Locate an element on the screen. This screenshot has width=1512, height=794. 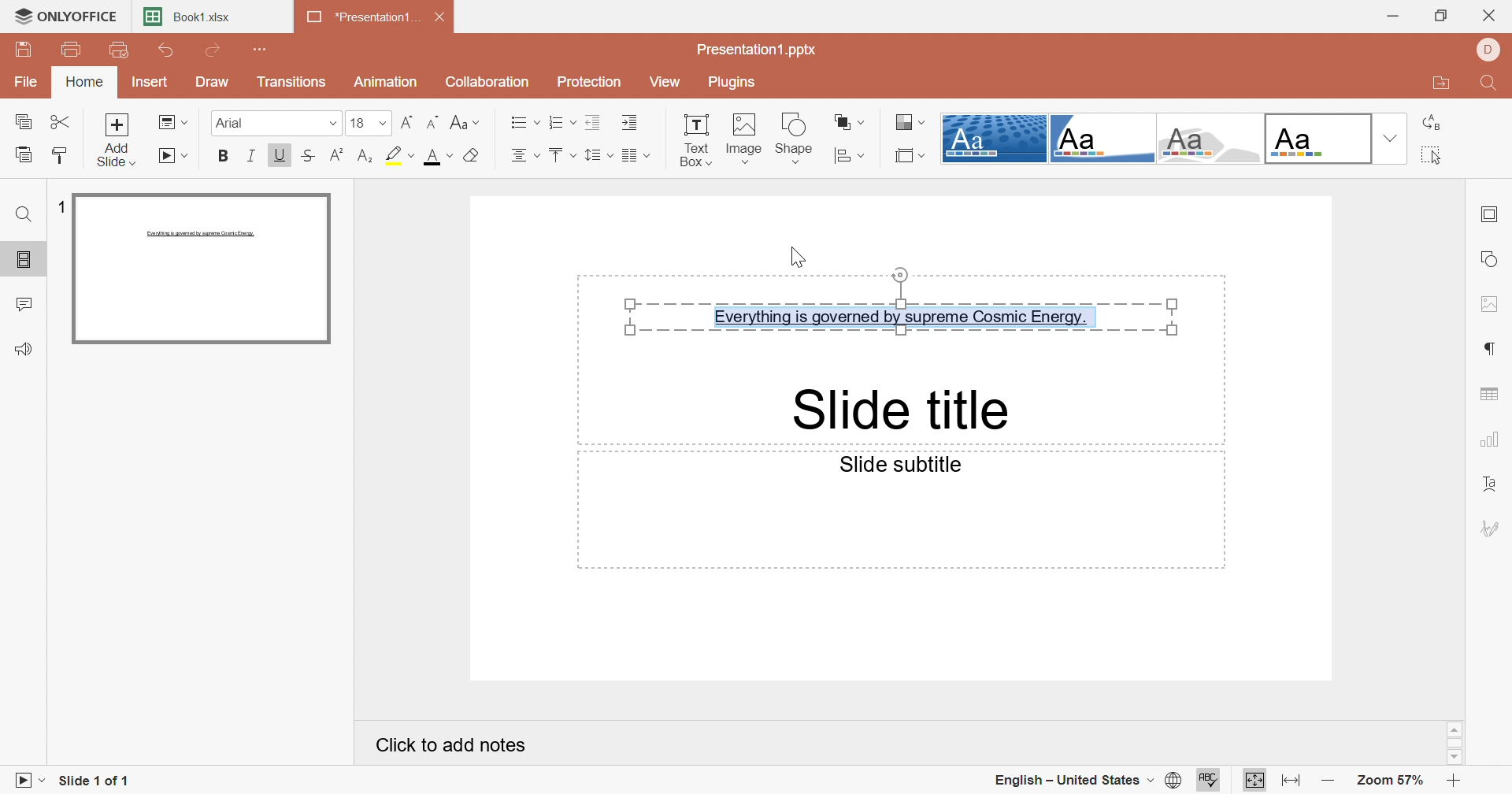
Start slideshow is located at coordinates (172, 154).